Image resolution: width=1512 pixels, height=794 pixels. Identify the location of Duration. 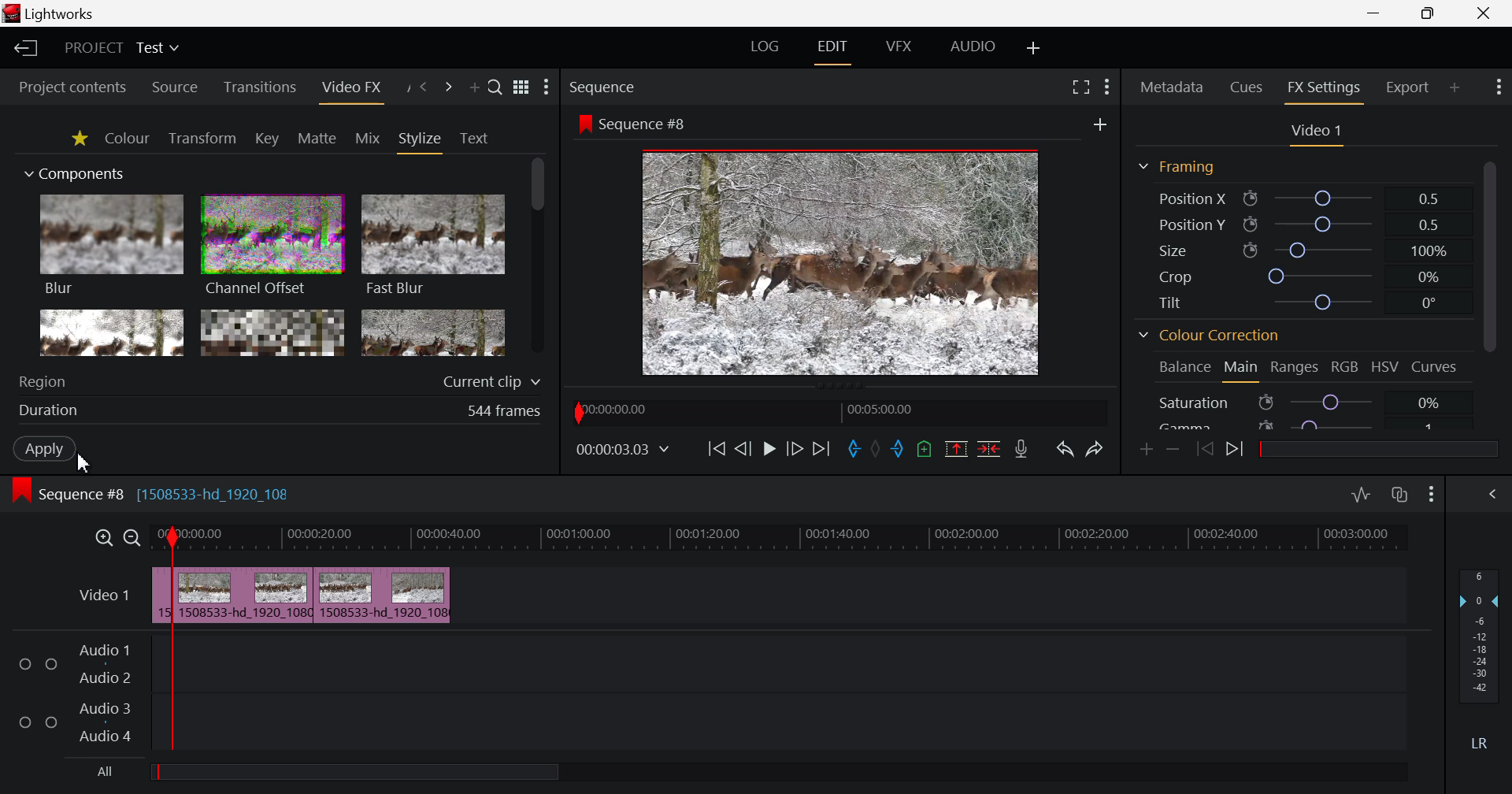
(282, 410).